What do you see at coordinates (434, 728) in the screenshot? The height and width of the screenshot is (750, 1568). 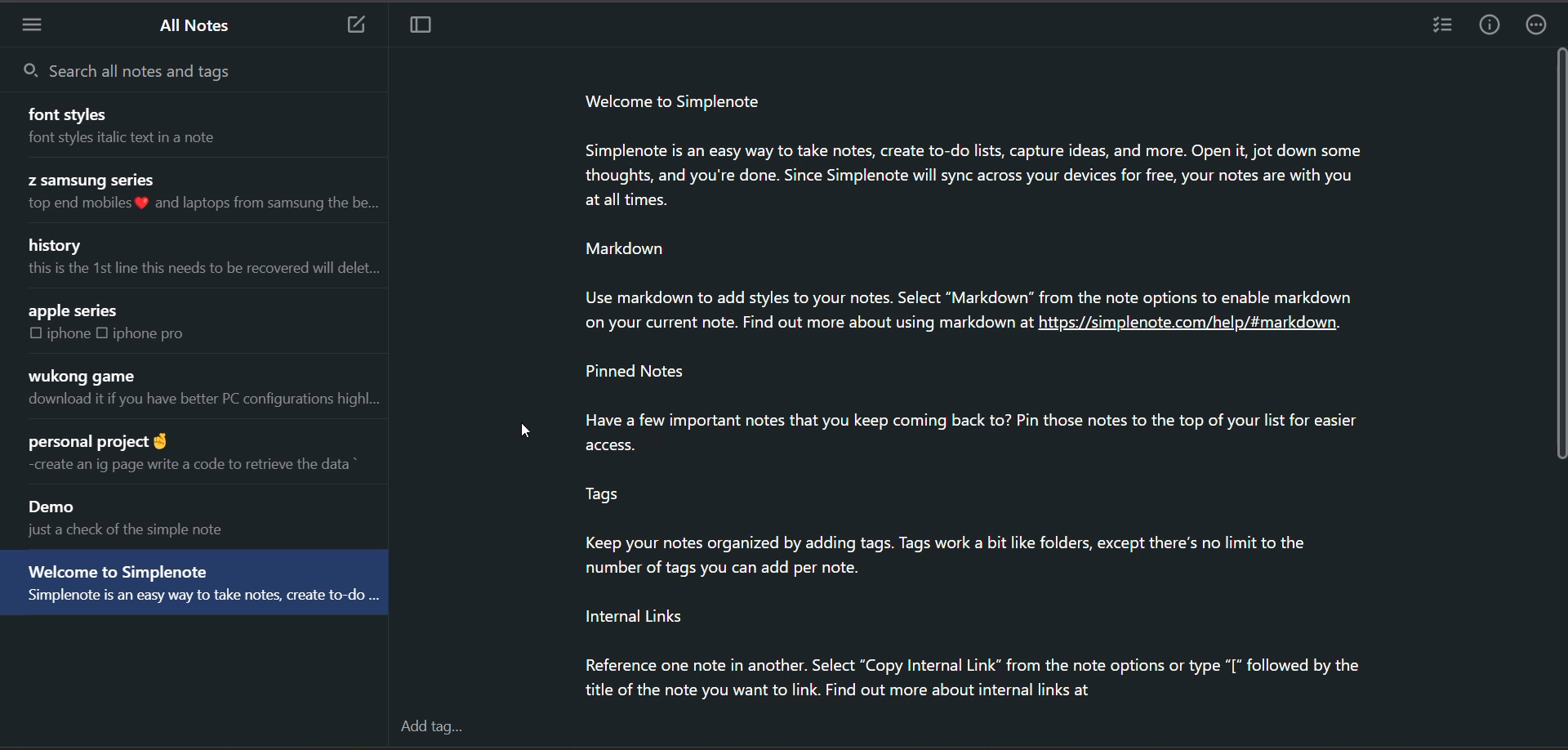 I see `add tag` at bounding box center [434, 728].